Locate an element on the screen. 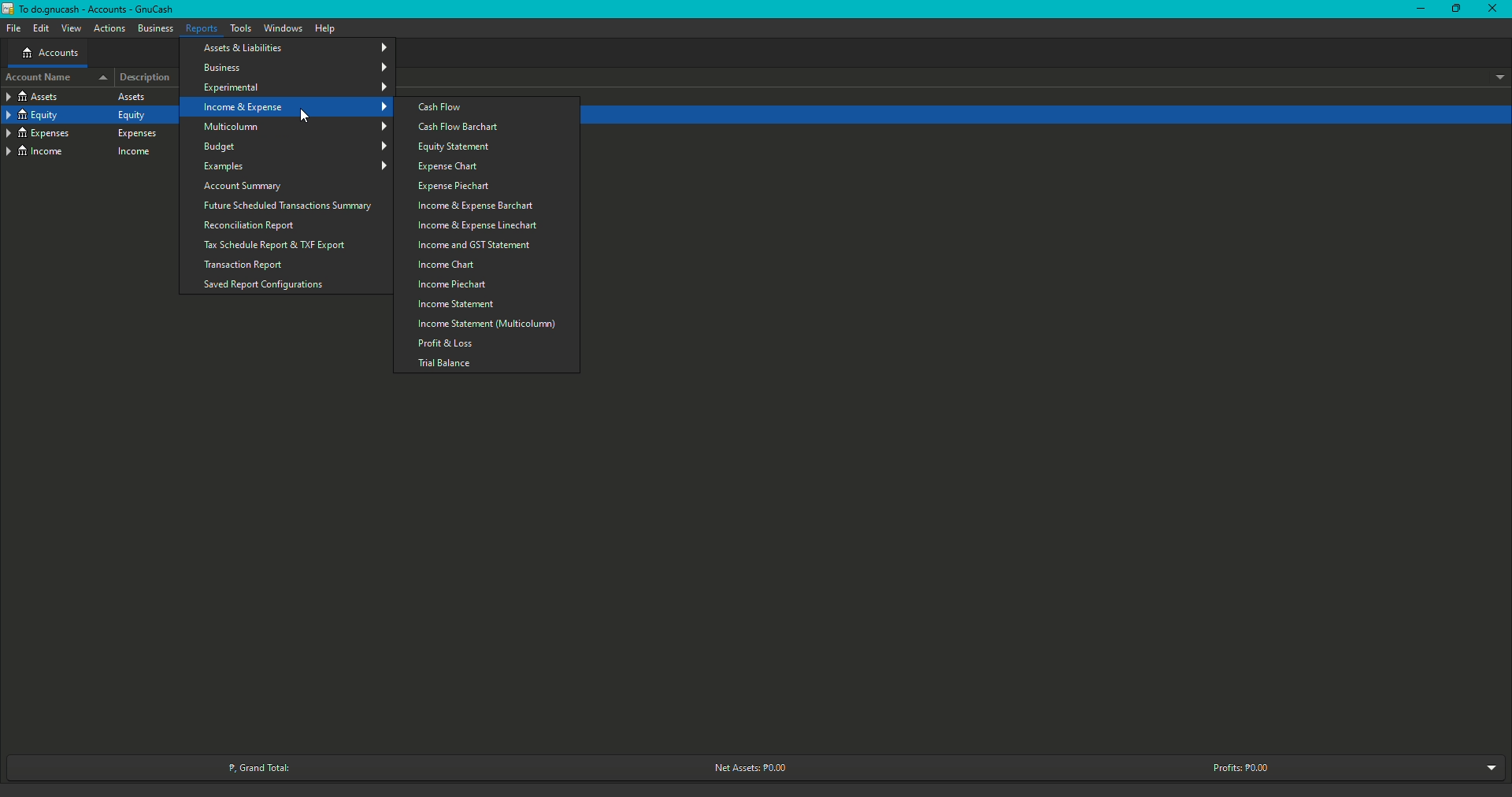 This screenshot has width=1512, height=797. Minimize is located at coordinates (1454, 11).